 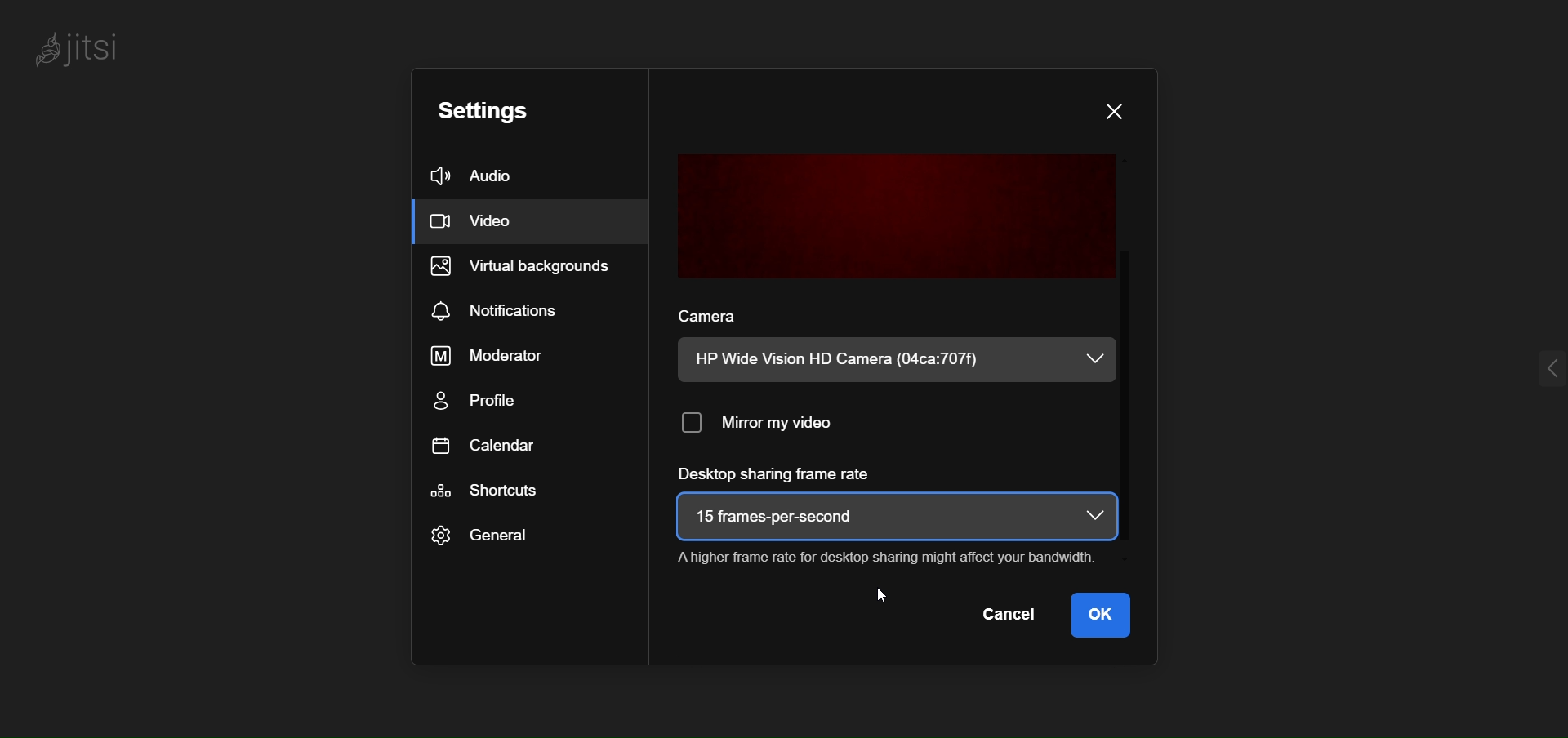 I want to click on virtual background, so click(x=530, y=269).